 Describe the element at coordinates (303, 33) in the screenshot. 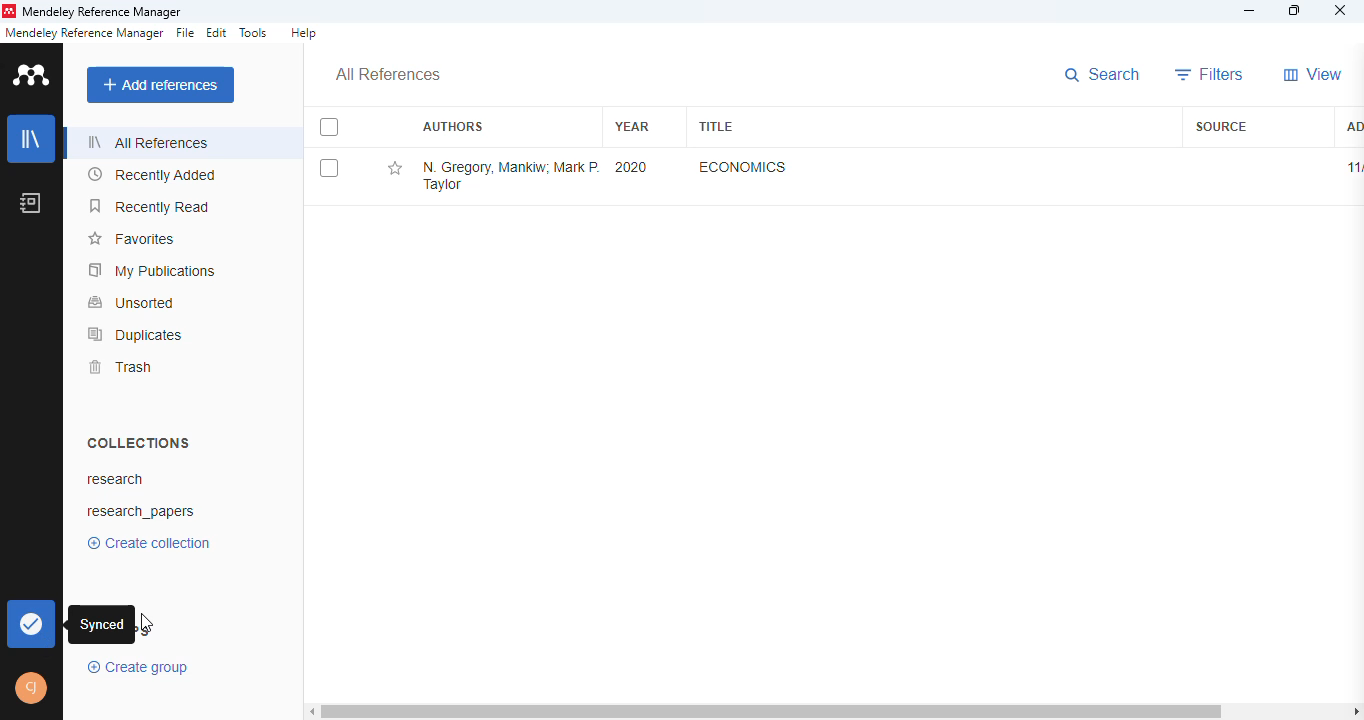

I see `help` at that location.